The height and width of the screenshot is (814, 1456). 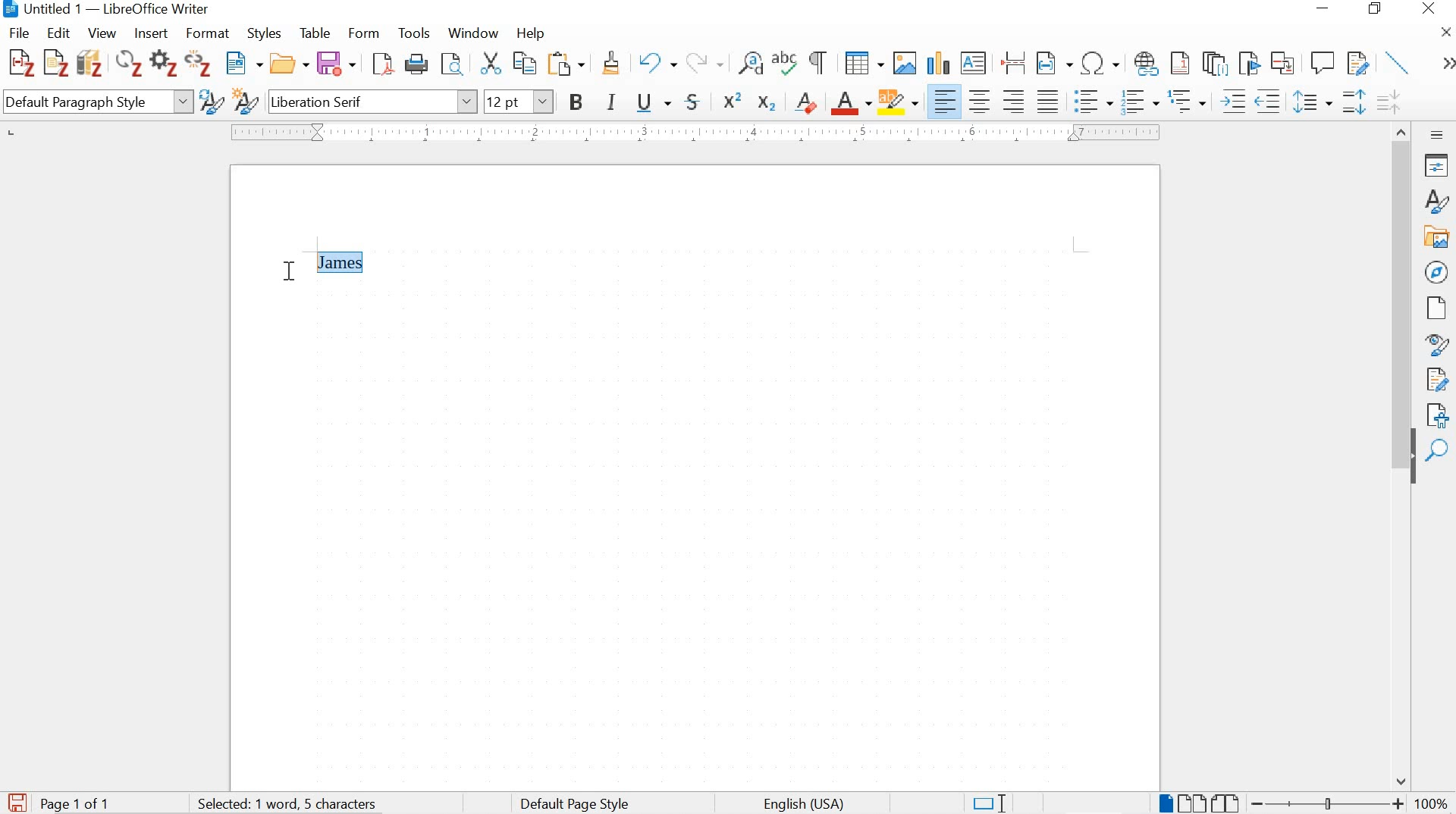 What do you see at coordinates (751, 64) in the screenshot?
I see `find and replace` at bounding box center [751, 64].